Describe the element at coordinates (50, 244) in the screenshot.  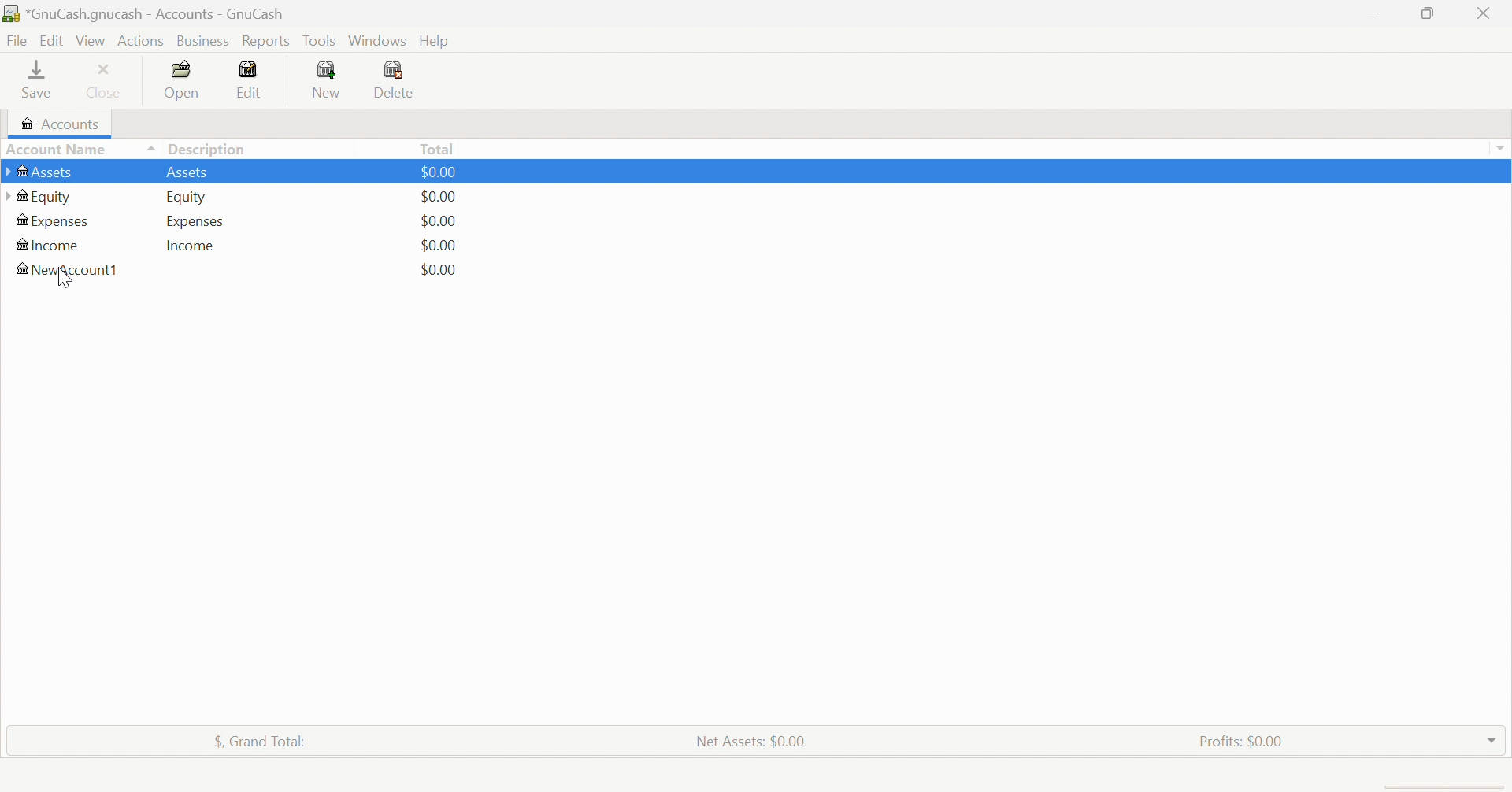
I see `Income` at that location.